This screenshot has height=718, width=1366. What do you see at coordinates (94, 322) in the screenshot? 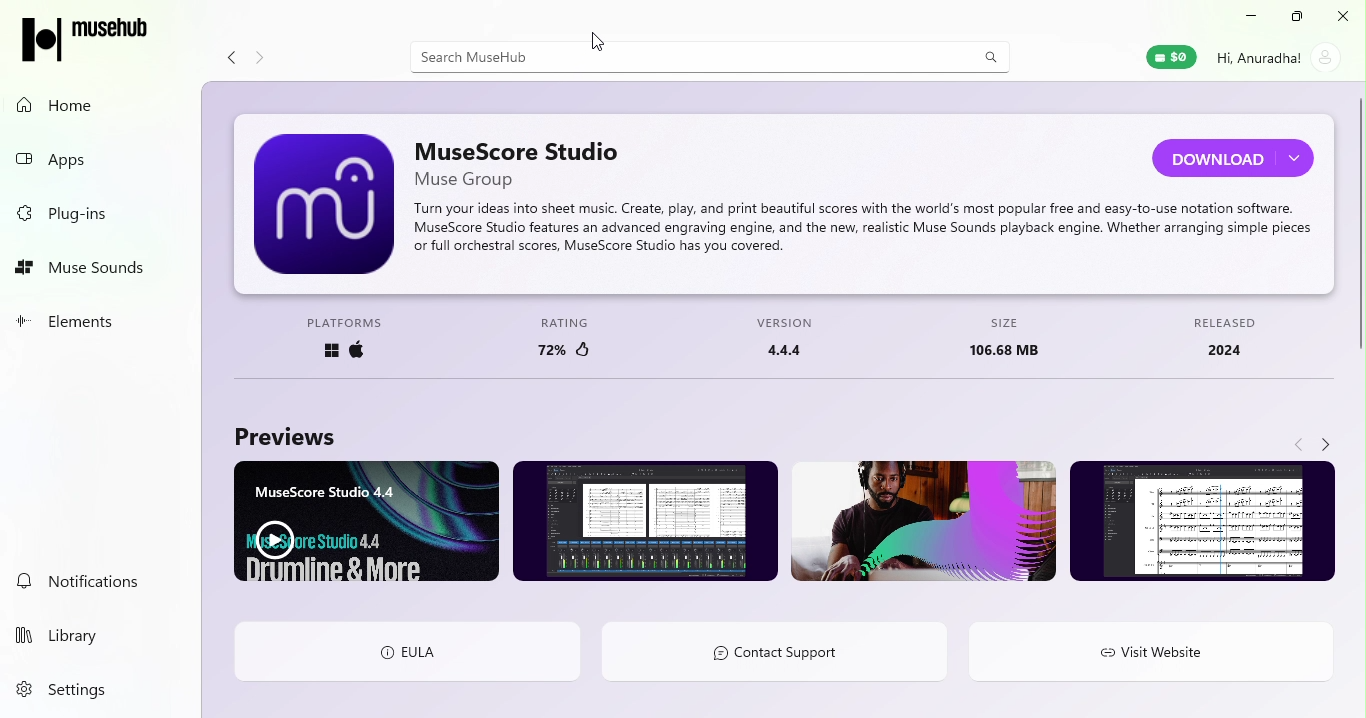
I see `Elements` at bounding box center [94, 322].